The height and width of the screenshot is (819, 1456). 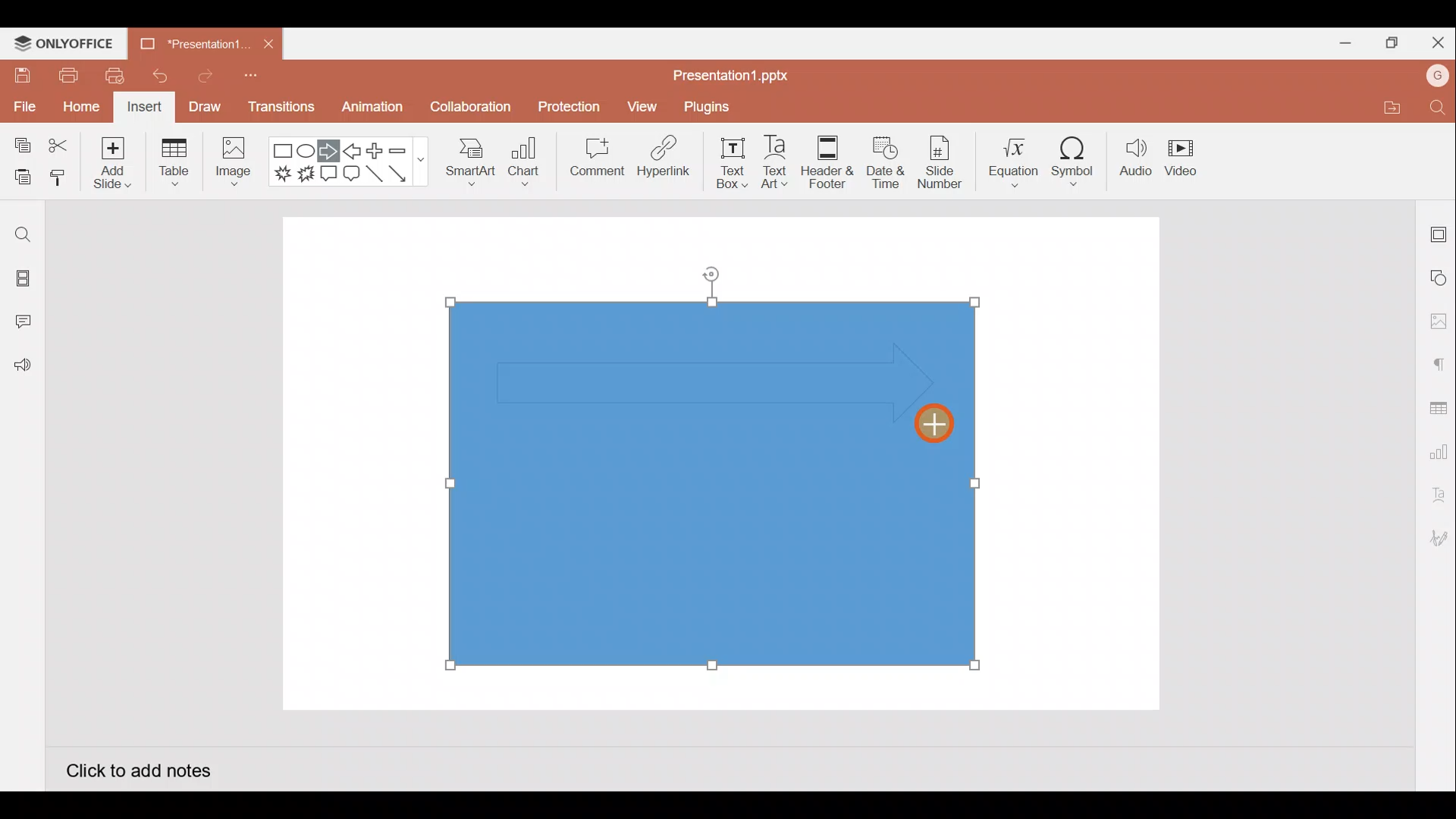 I want to click on Header & footer, so click(x=828, y=158).